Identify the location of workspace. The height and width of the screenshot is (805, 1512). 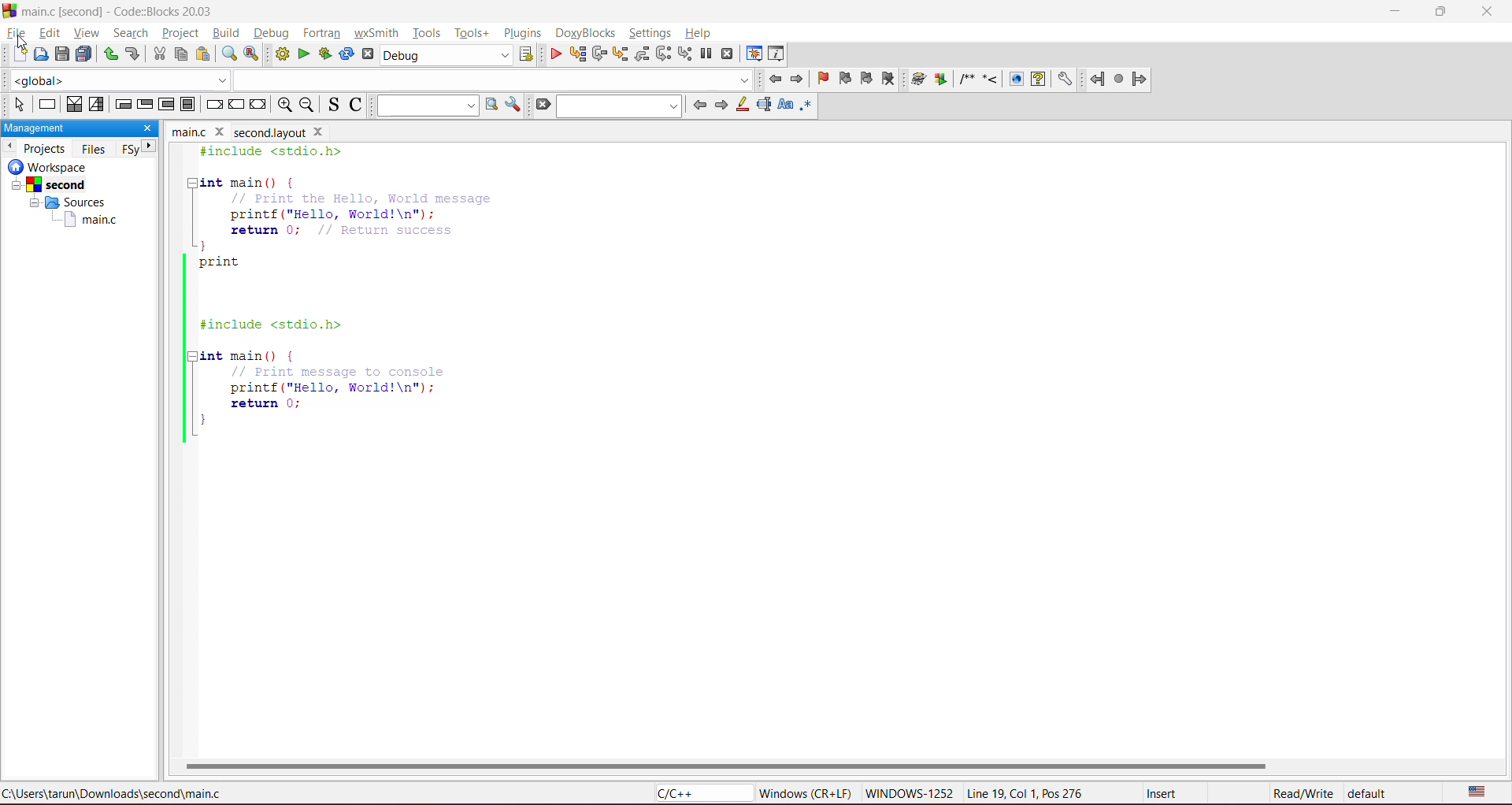
(66, 199).